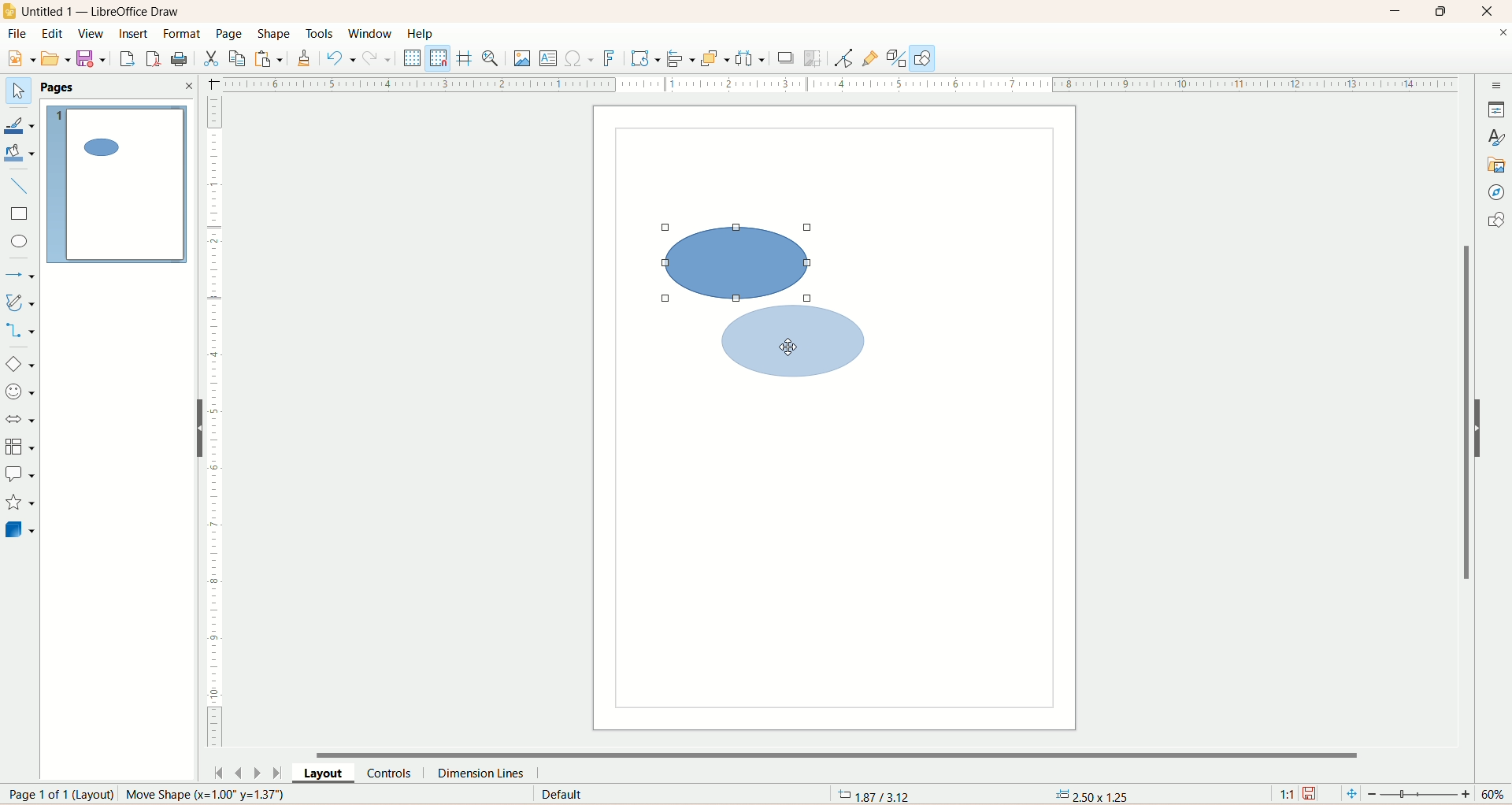 The height and width of the screenshot is (805, 1512). Describe the element at coordinates (128, 55) in the screenshot. I see `export` at that location.